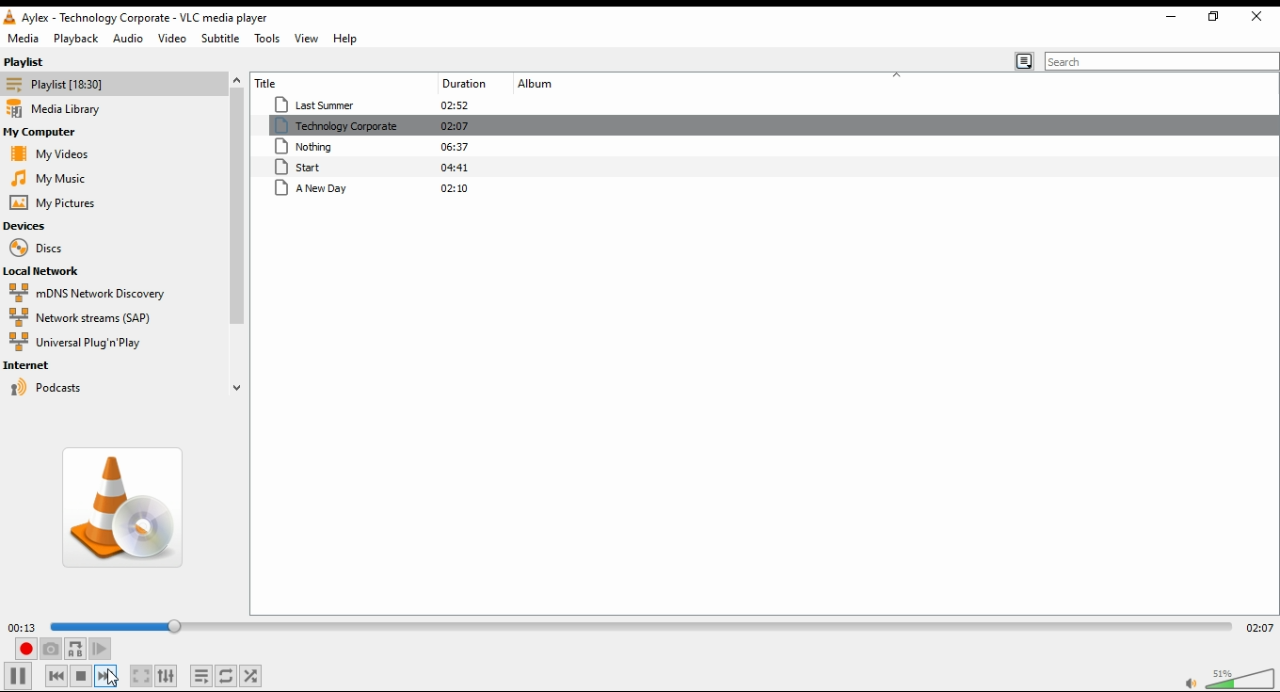  I want to click on title, so click(273, 82).